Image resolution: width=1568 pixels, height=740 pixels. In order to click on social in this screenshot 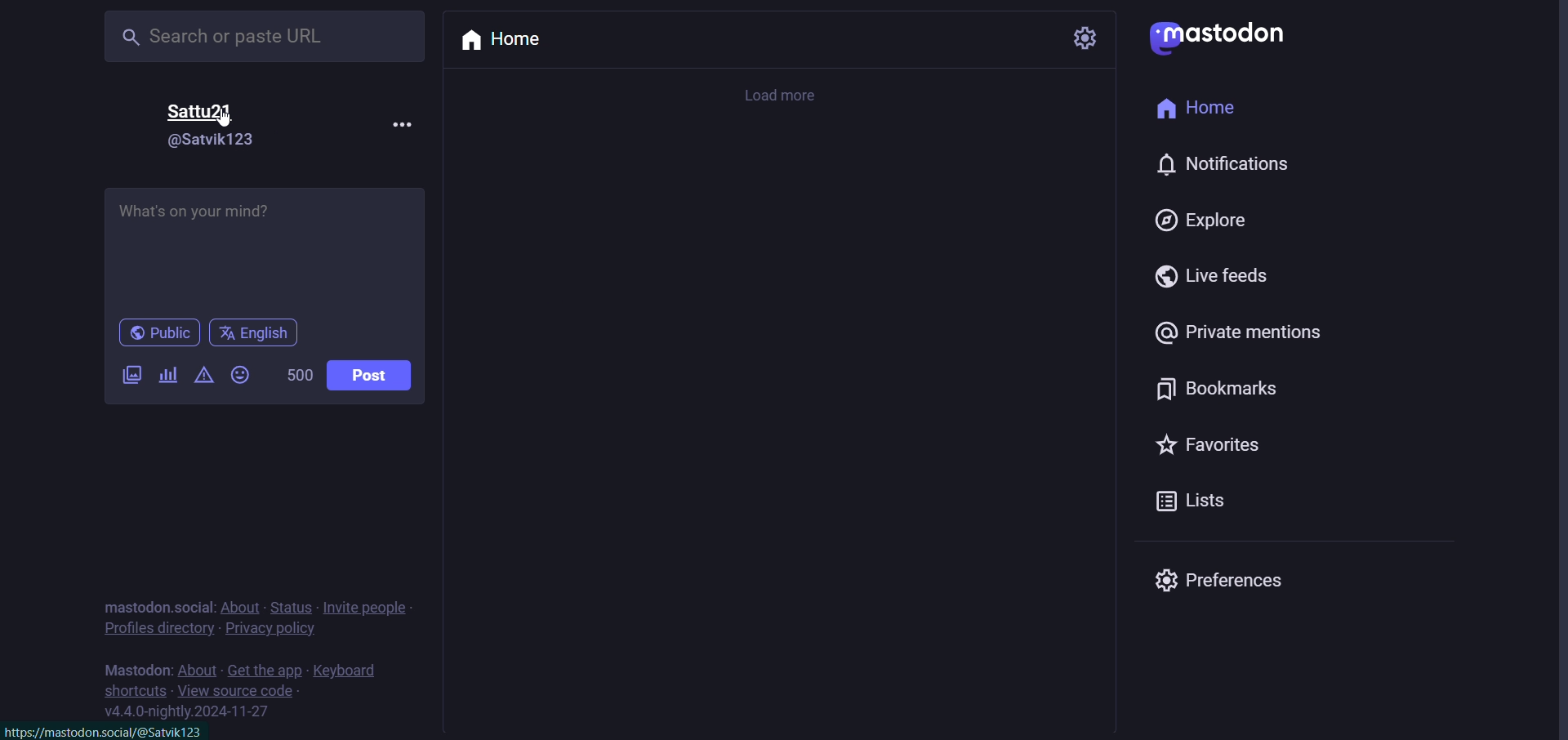, I will do `click(193, 606)`.